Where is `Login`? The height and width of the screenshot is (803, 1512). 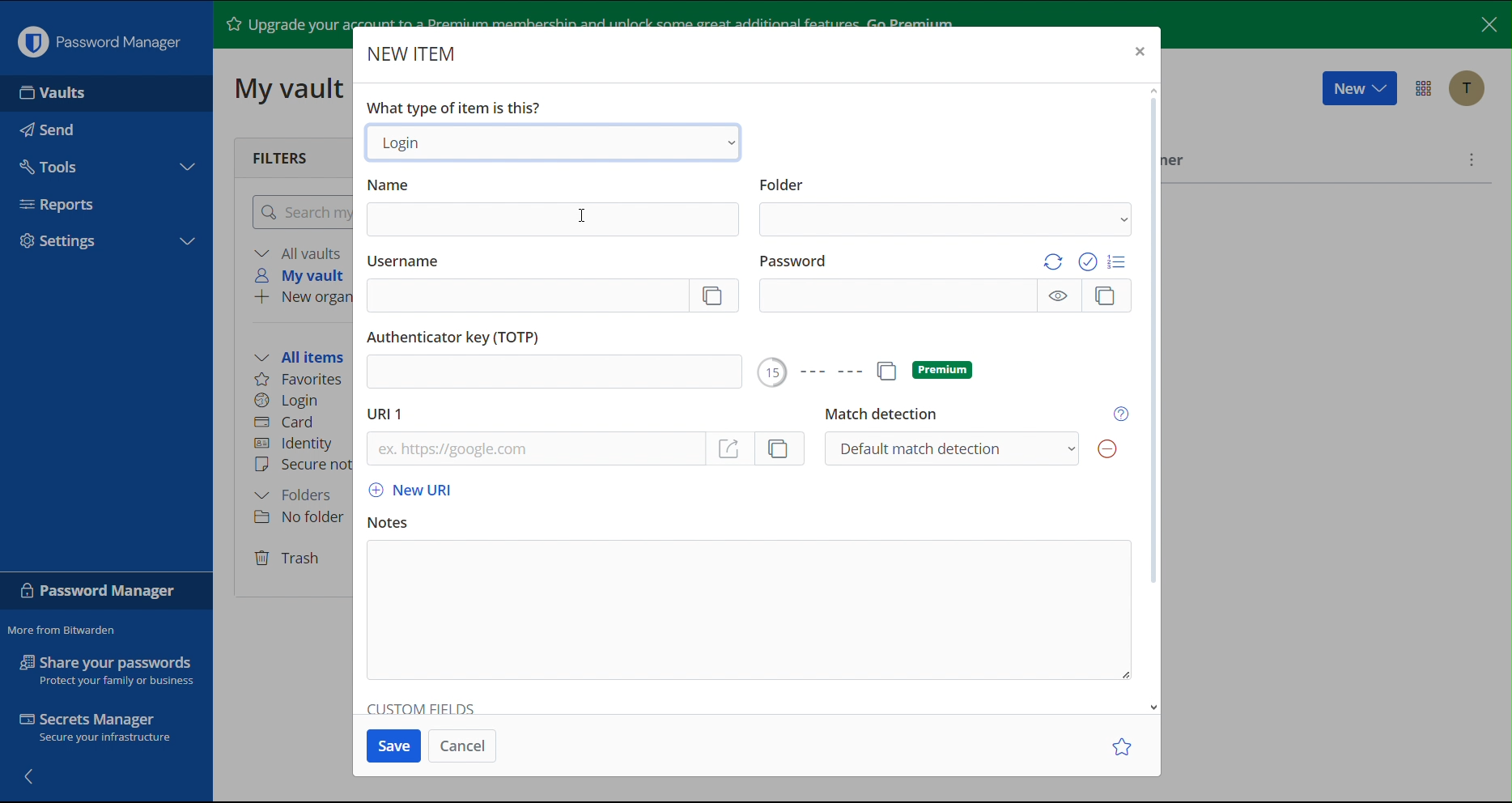 Login is located at coordinates (556, 144).